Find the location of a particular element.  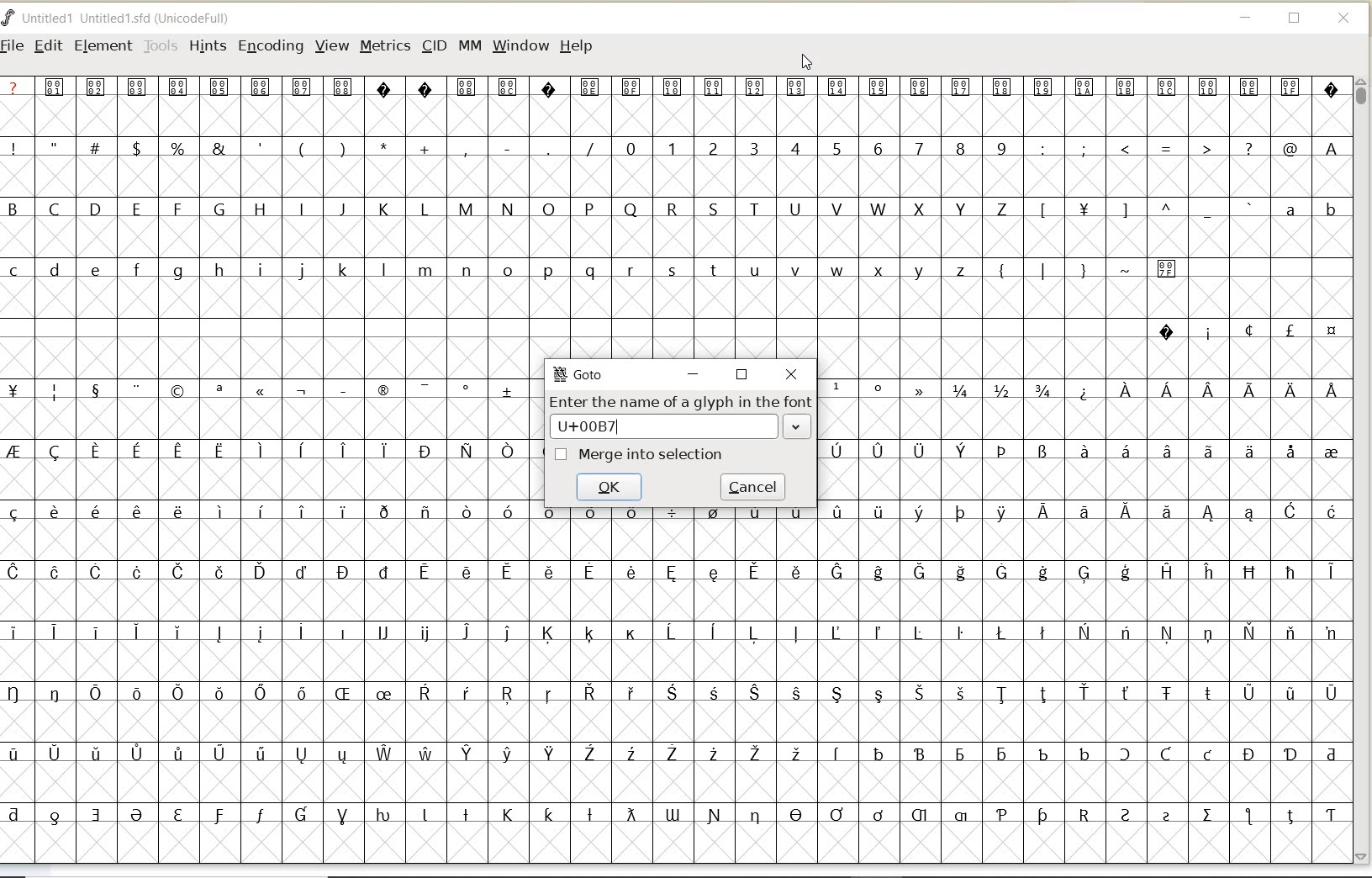

HELP is located at coordinates (576, 45).